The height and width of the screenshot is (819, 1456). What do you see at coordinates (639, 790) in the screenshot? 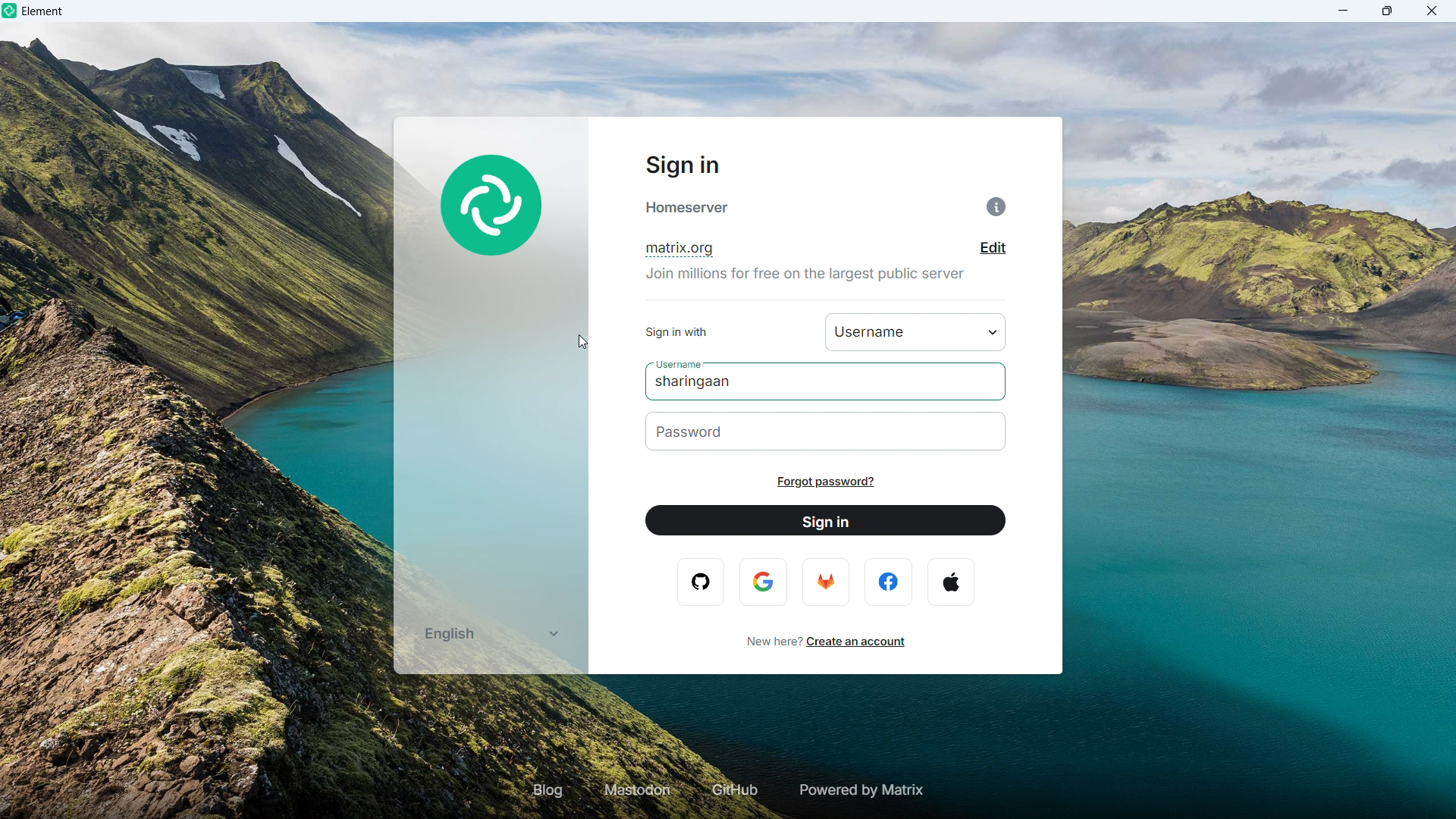
I see `Mastodon ` at bounding box center [639, 790].